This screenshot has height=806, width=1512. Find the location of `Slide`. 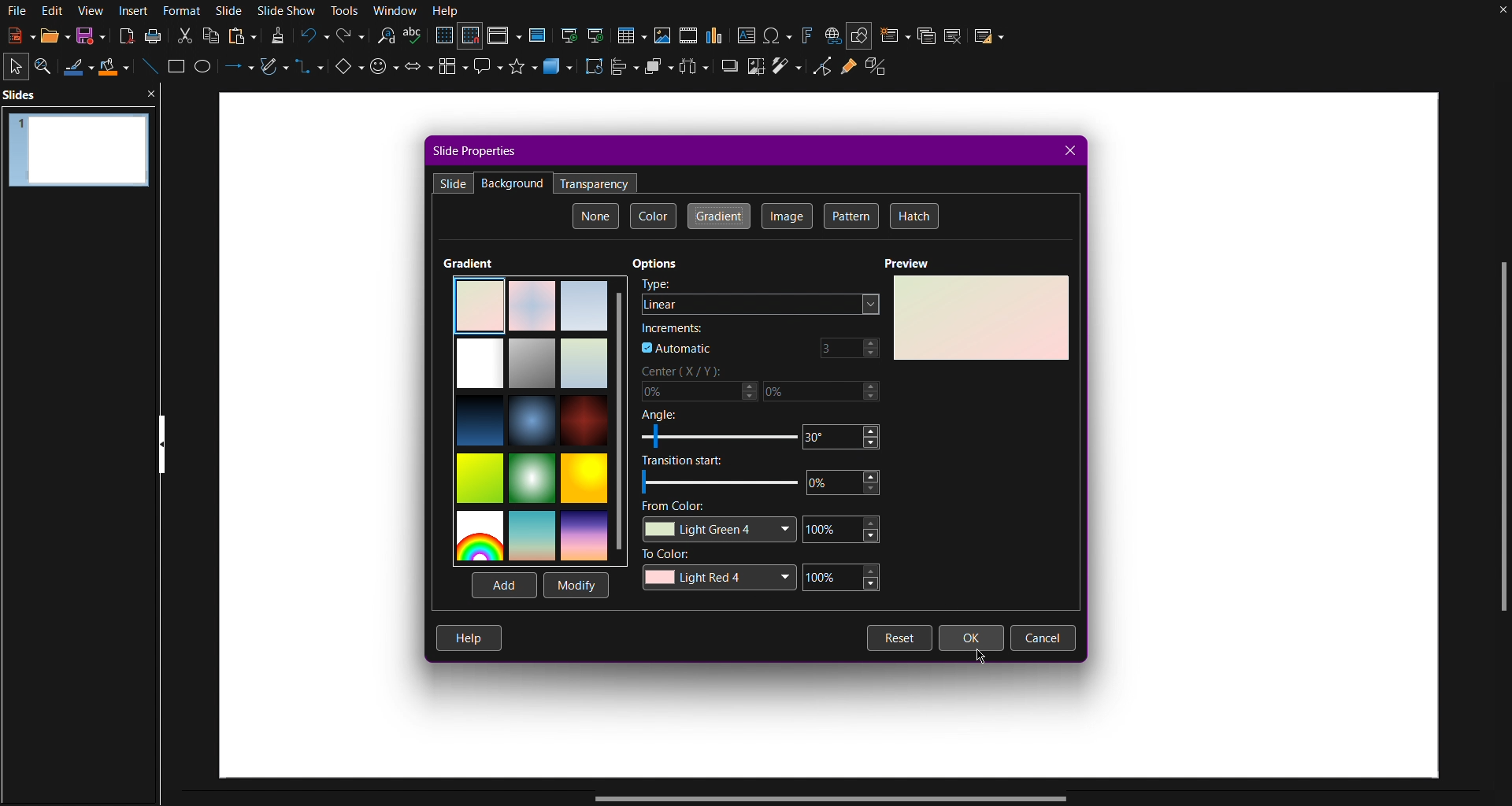

Slide is located at coordinates (231, 10).